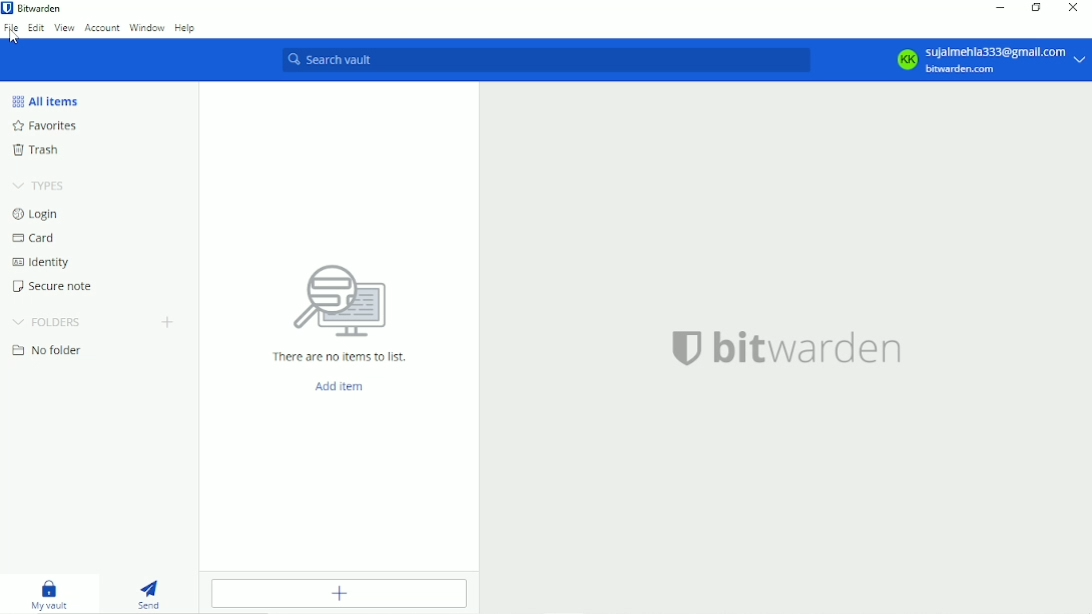 The height and width of the screenshot is (614, 1092). I want to click on Favorites, so click(44, 125).